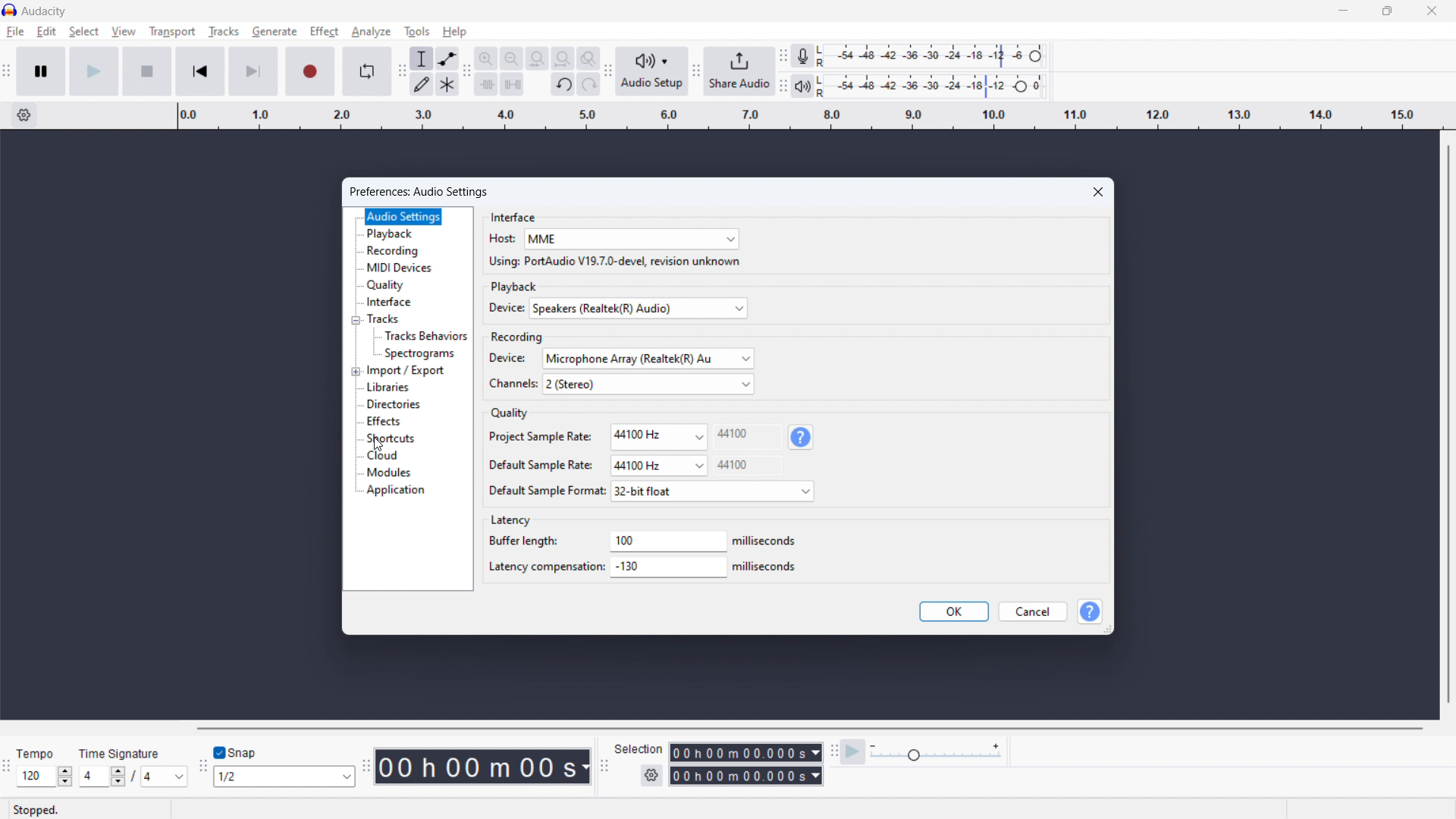 The height and width of the screenshot is (819, 1456). I want to click on buffer length, so click(670, 541).